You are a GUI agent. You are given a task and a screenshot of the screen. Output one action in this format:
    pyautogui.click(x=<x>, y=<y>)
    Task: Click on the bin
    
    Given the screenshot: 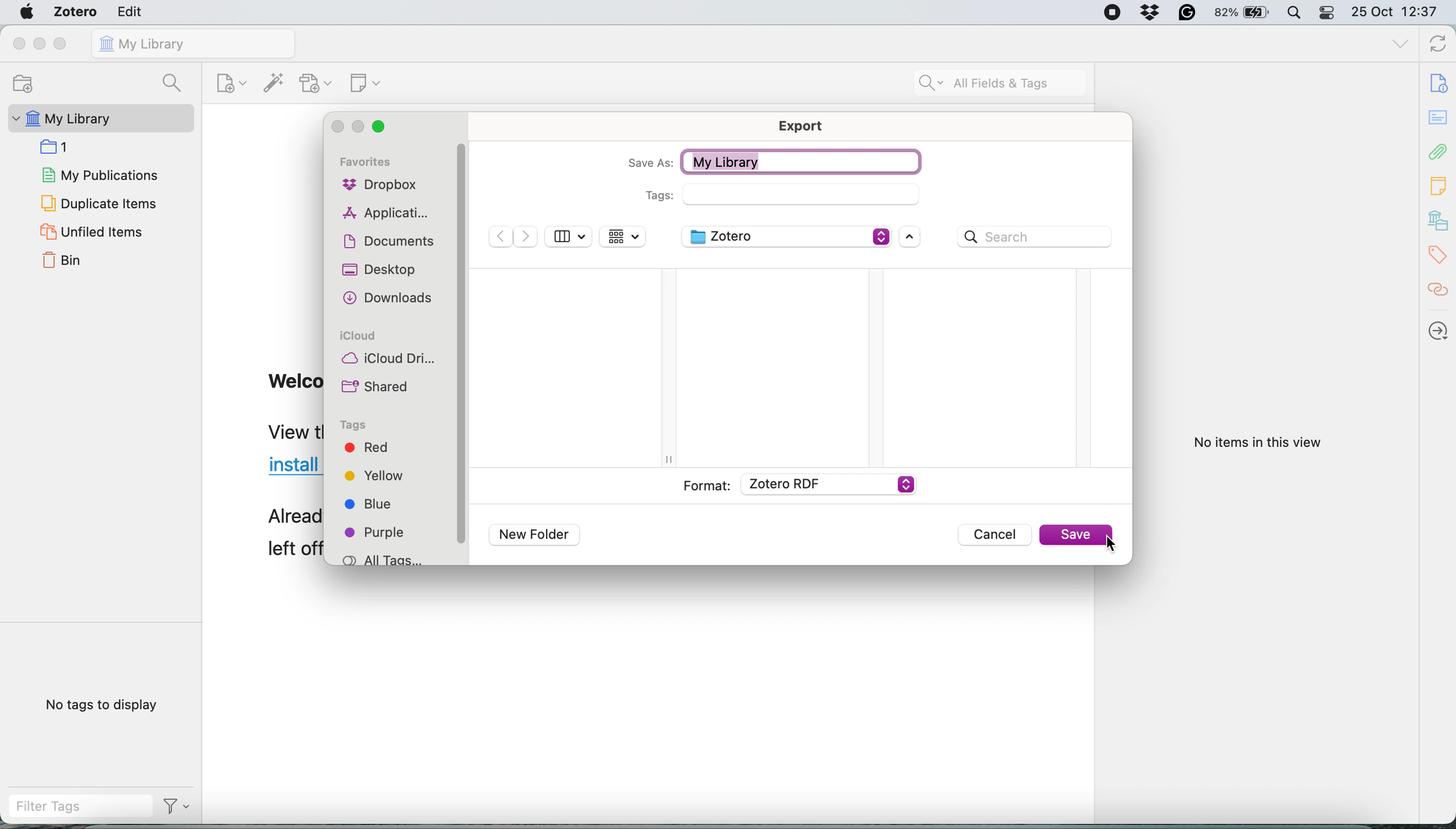 What is the action you would take?
    pyautogui.click(x=63, y=263)
    